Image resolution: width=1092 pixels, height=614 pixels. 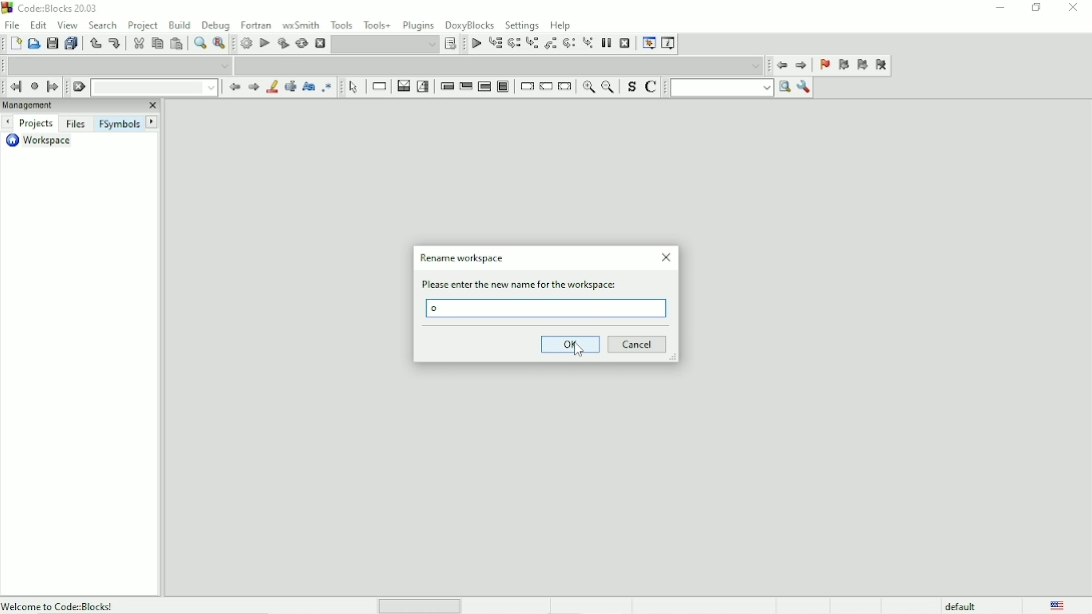 What do you see at coordinates (377, 87) in the screenshot?
I see `Instruction` at bounding box center [377, 87].